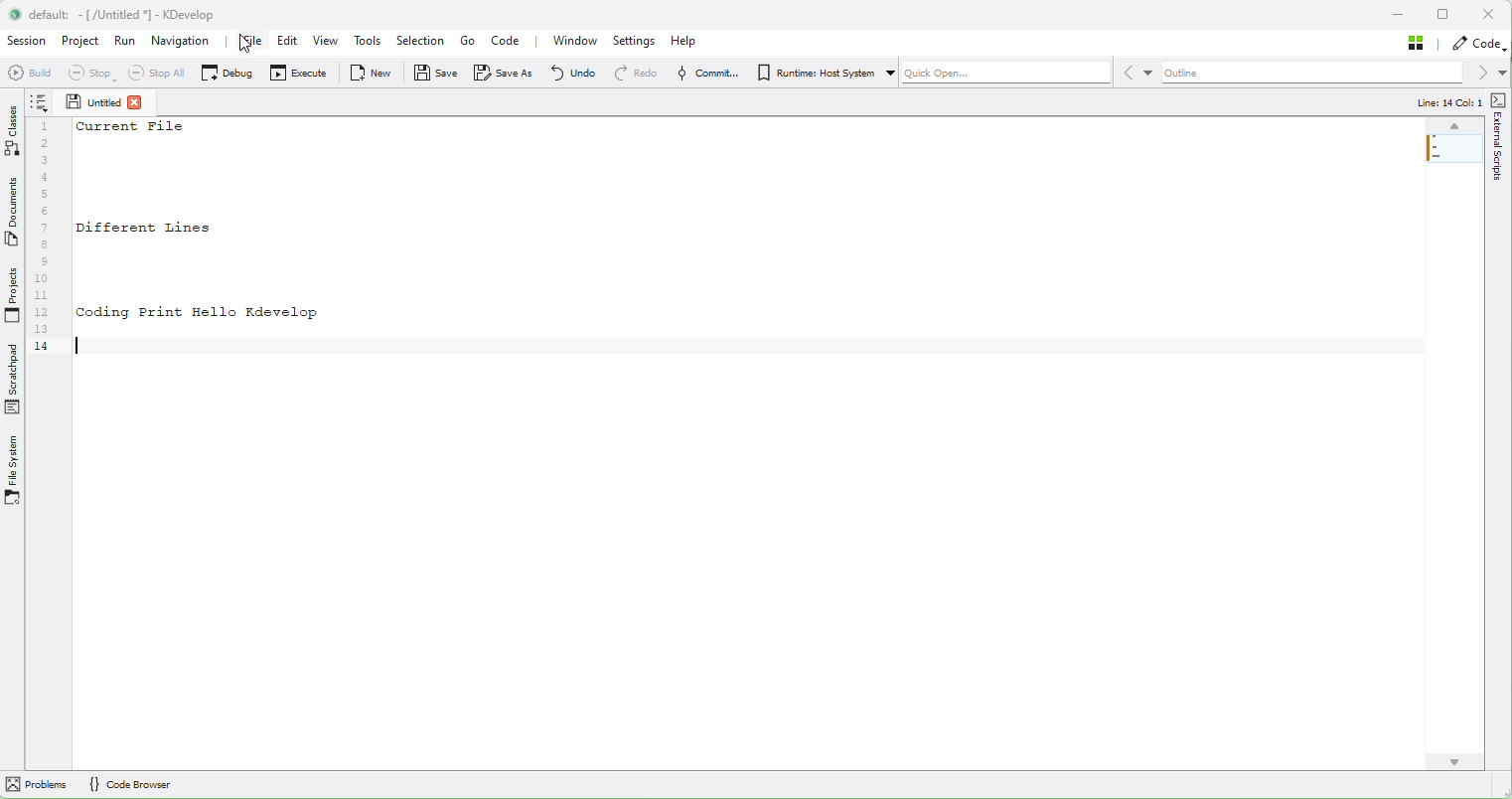 The image size is (1512, 799). Describe the element at coordinates (14, 472) in the screenshot. I see `Files System` at that location.